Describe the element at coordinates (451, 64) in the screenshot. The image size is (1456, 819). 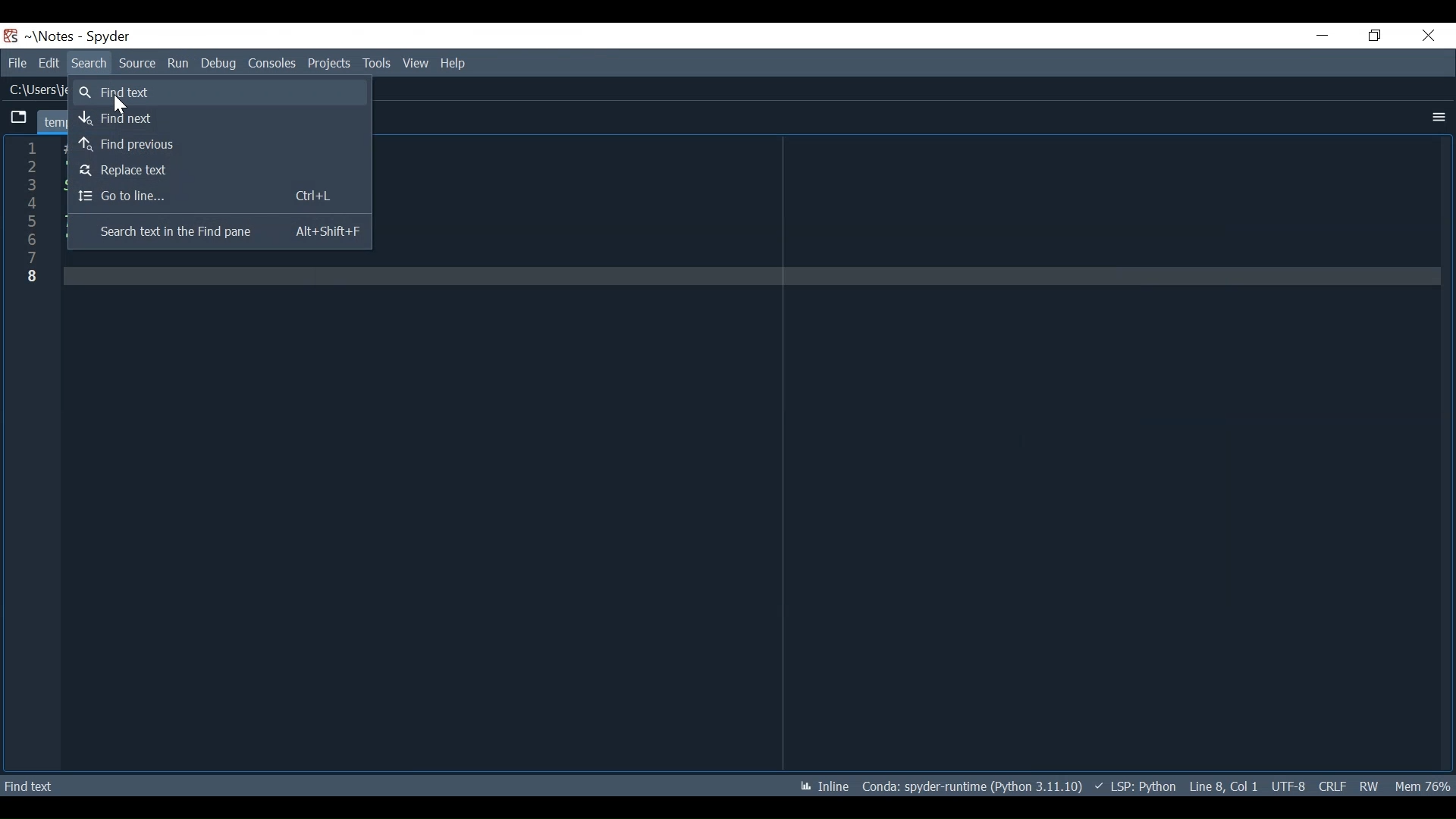
I see `Help` at that location.